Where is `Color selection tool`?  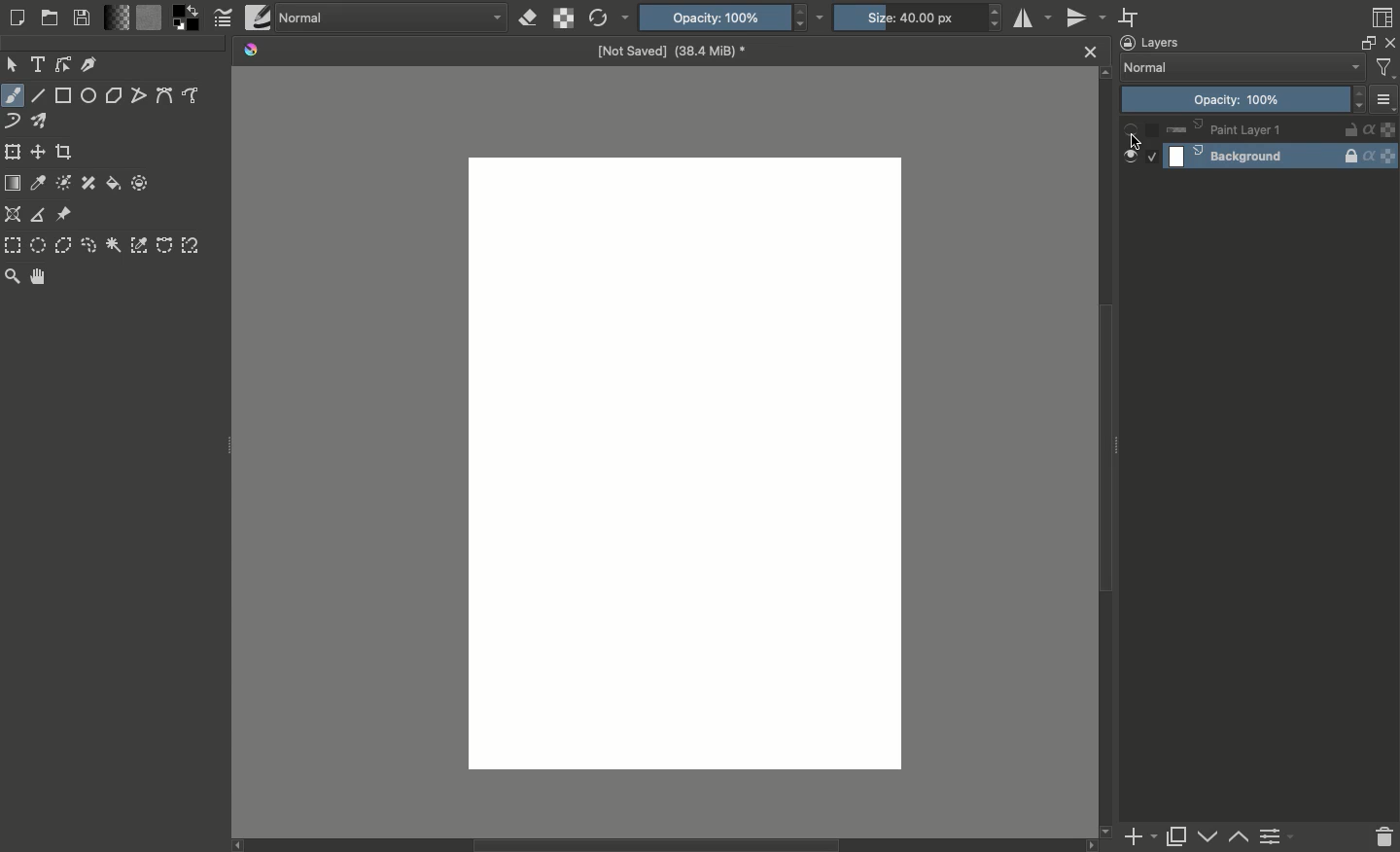
Color selection tool is located at coordinates (140, 245).